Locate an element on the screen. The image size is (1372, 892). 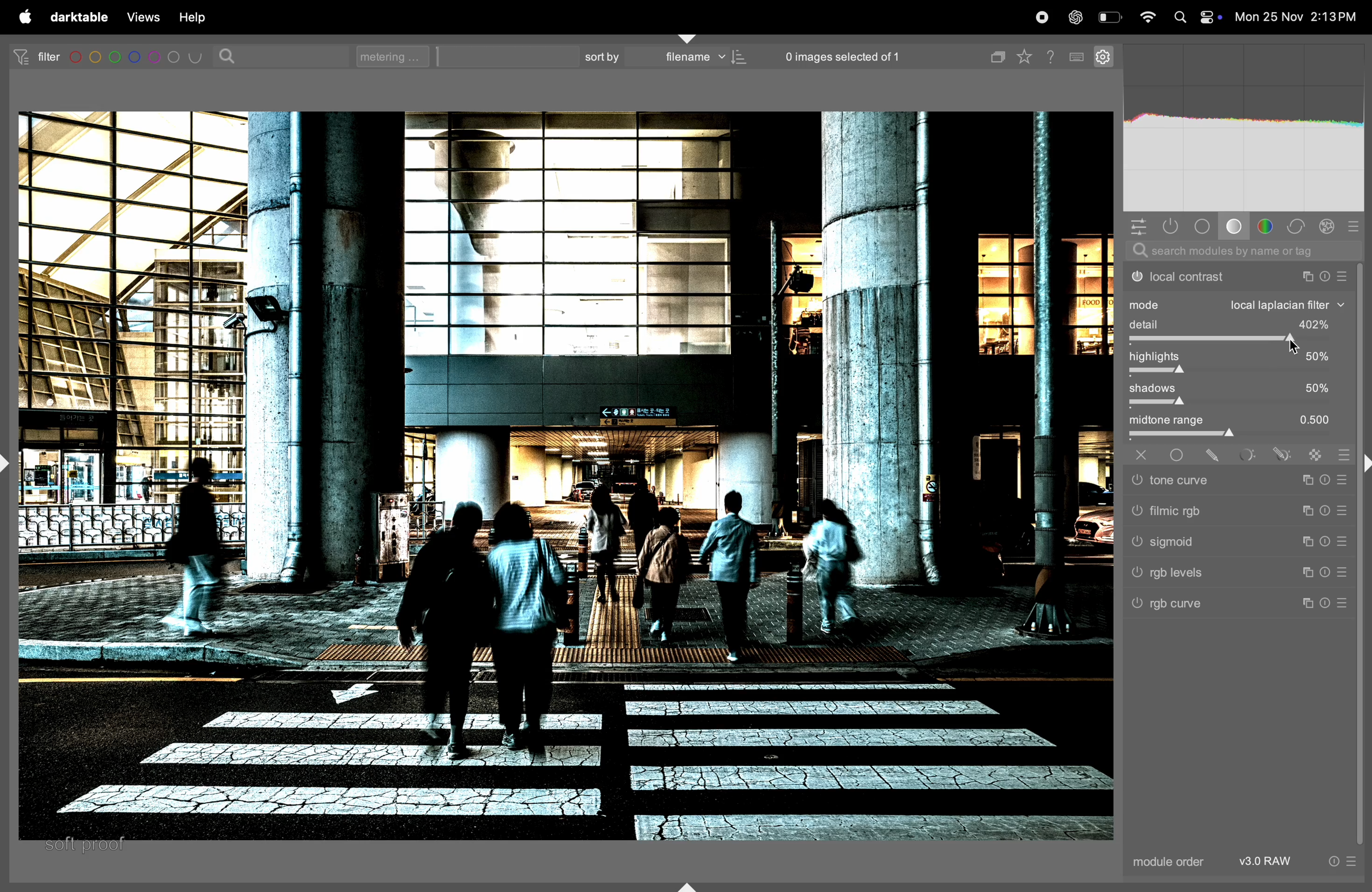
toggle is located at coordinates (1238, 372).